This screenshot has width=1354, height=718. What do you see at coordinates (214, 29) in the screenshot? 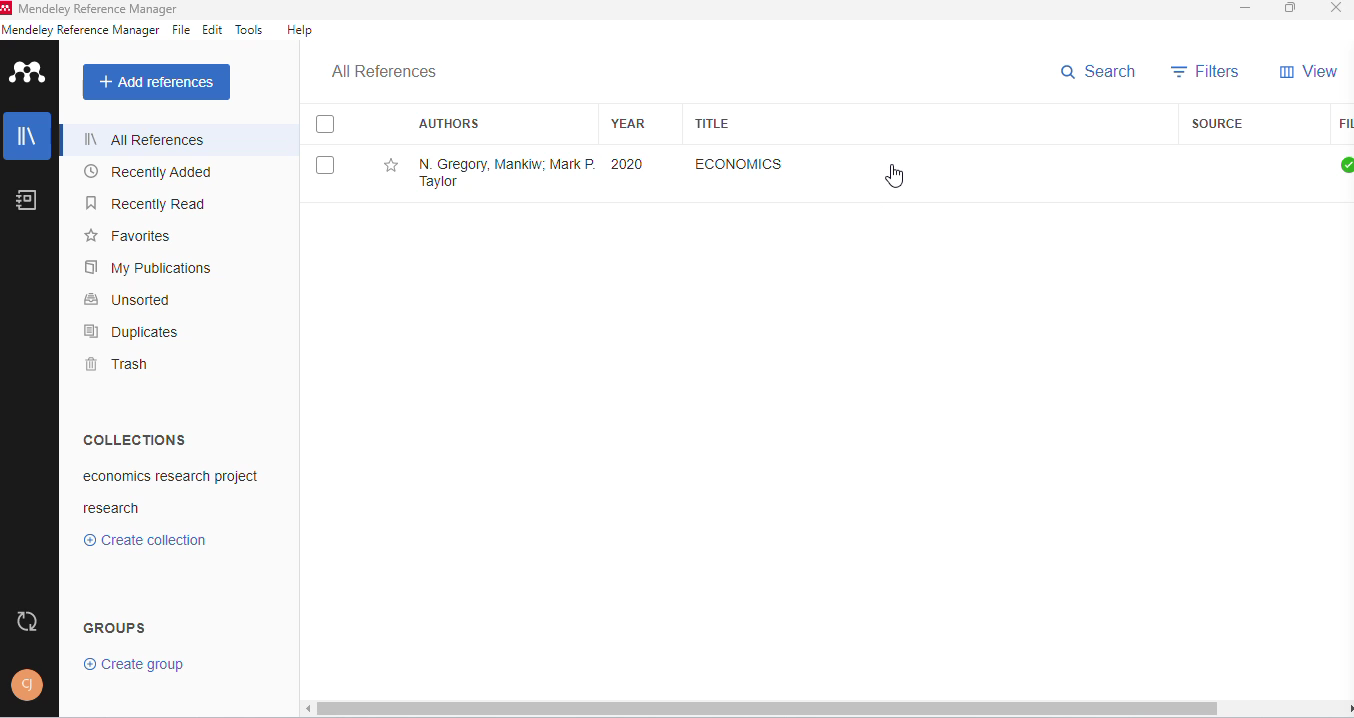
I see `edit` at bounding box center [214, 29].